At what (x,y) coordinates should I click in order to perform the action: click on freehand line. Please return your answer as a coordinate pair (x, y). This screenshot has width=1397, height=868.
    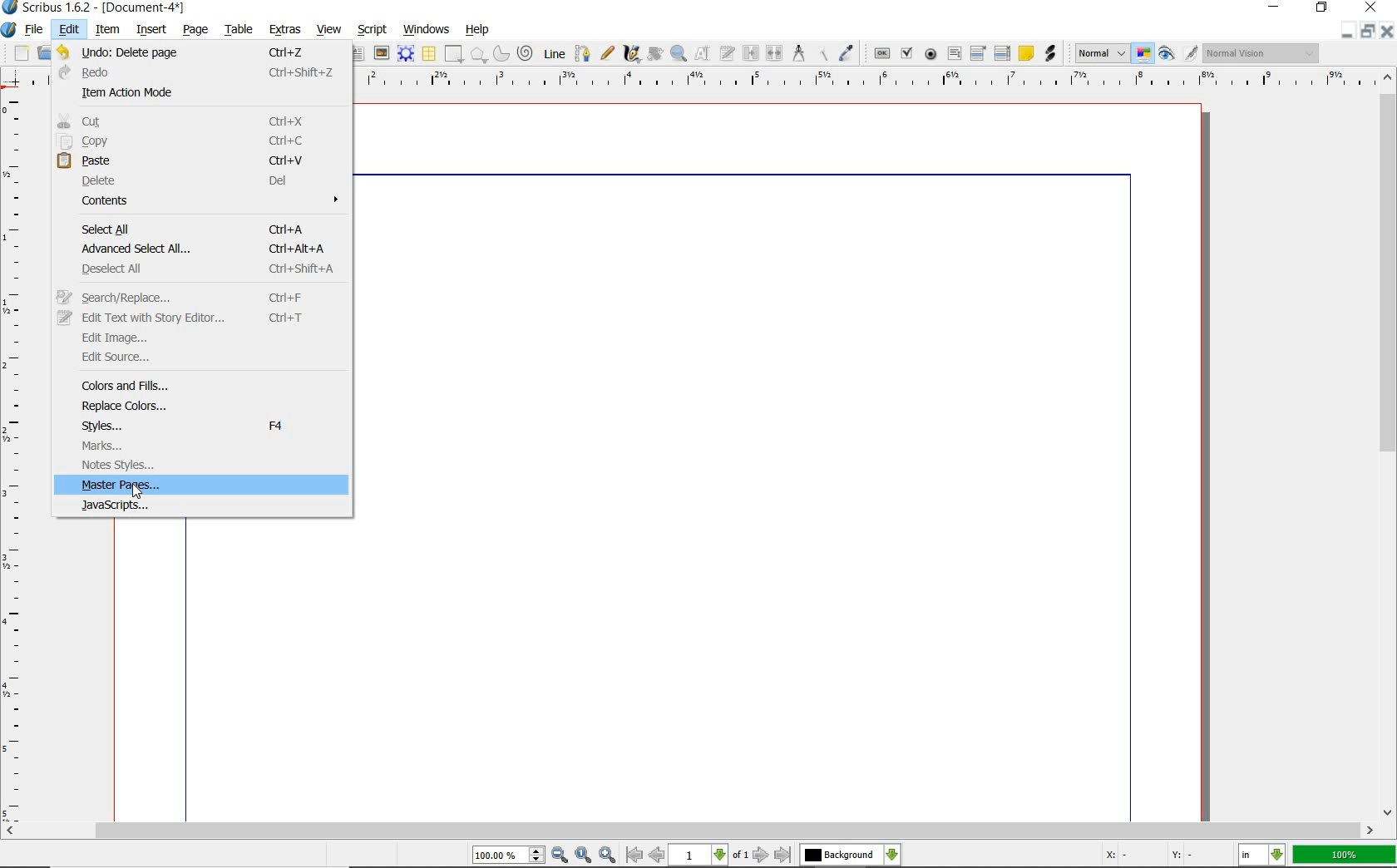
    Looking at the image, I should click on (605, 54).